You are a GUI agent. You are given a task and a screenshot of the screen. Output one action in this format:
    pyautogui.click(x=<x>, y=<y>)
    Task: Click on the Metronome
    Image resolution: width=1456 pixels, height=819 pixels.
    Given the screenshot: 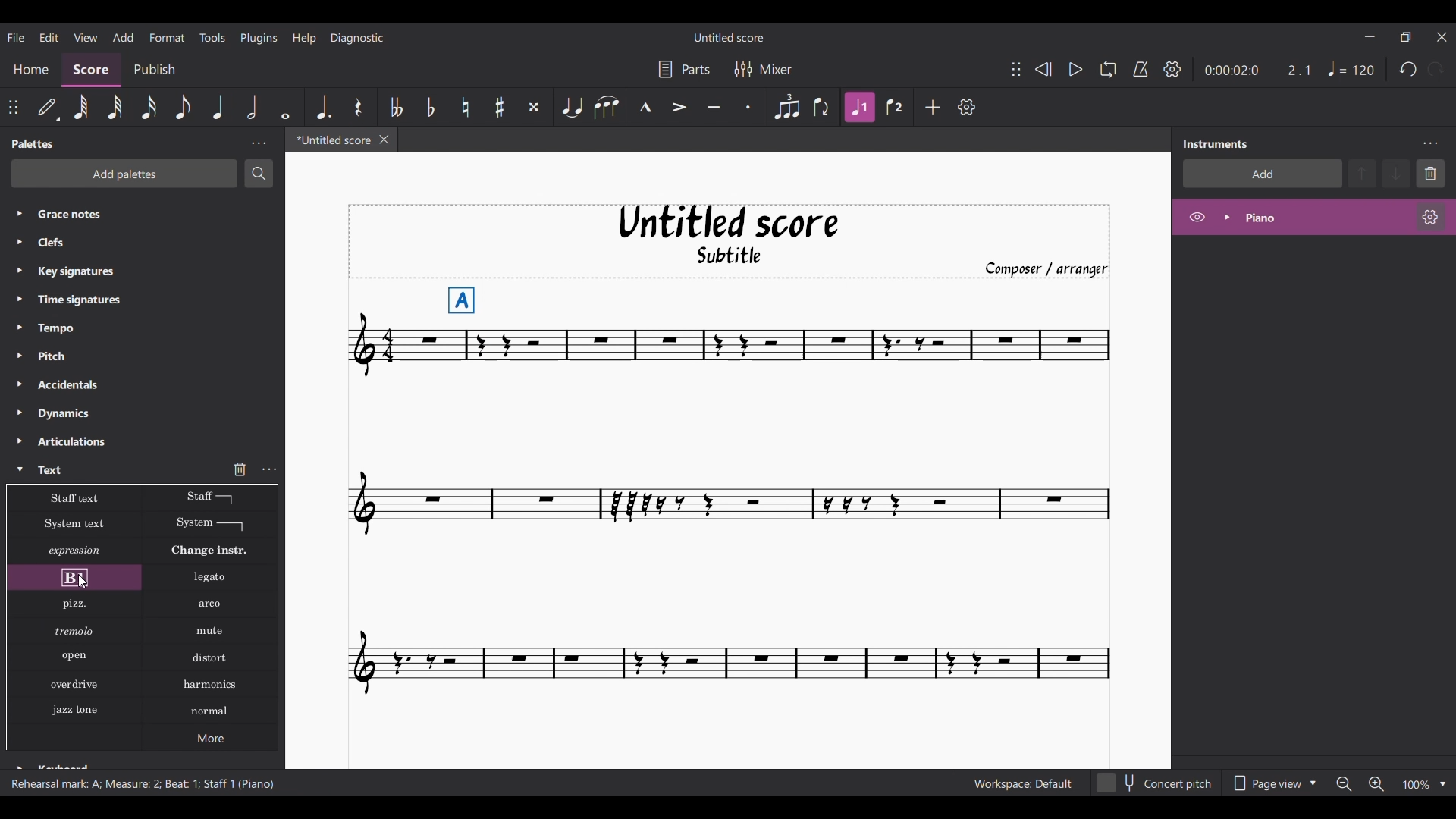 What is the action you would take?
    pyautogui.click(x=1141, y=69)
    